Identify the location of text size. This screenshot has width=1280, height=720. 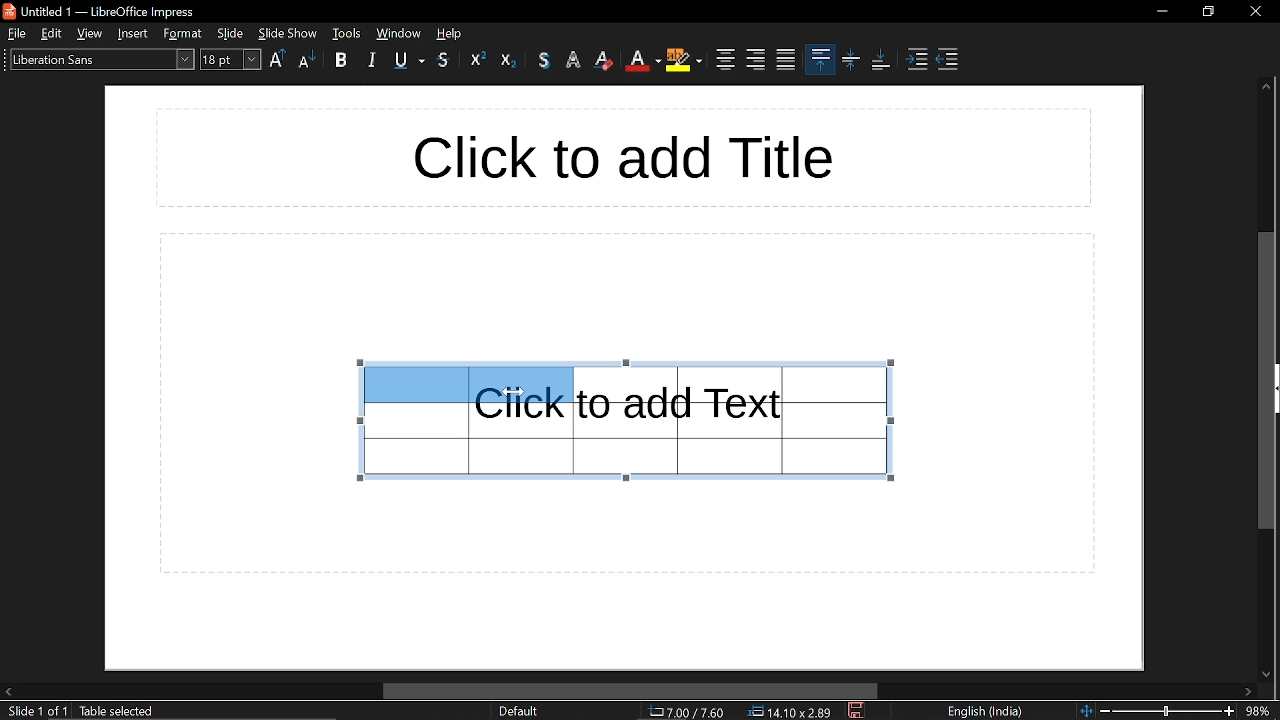
(231, 61).